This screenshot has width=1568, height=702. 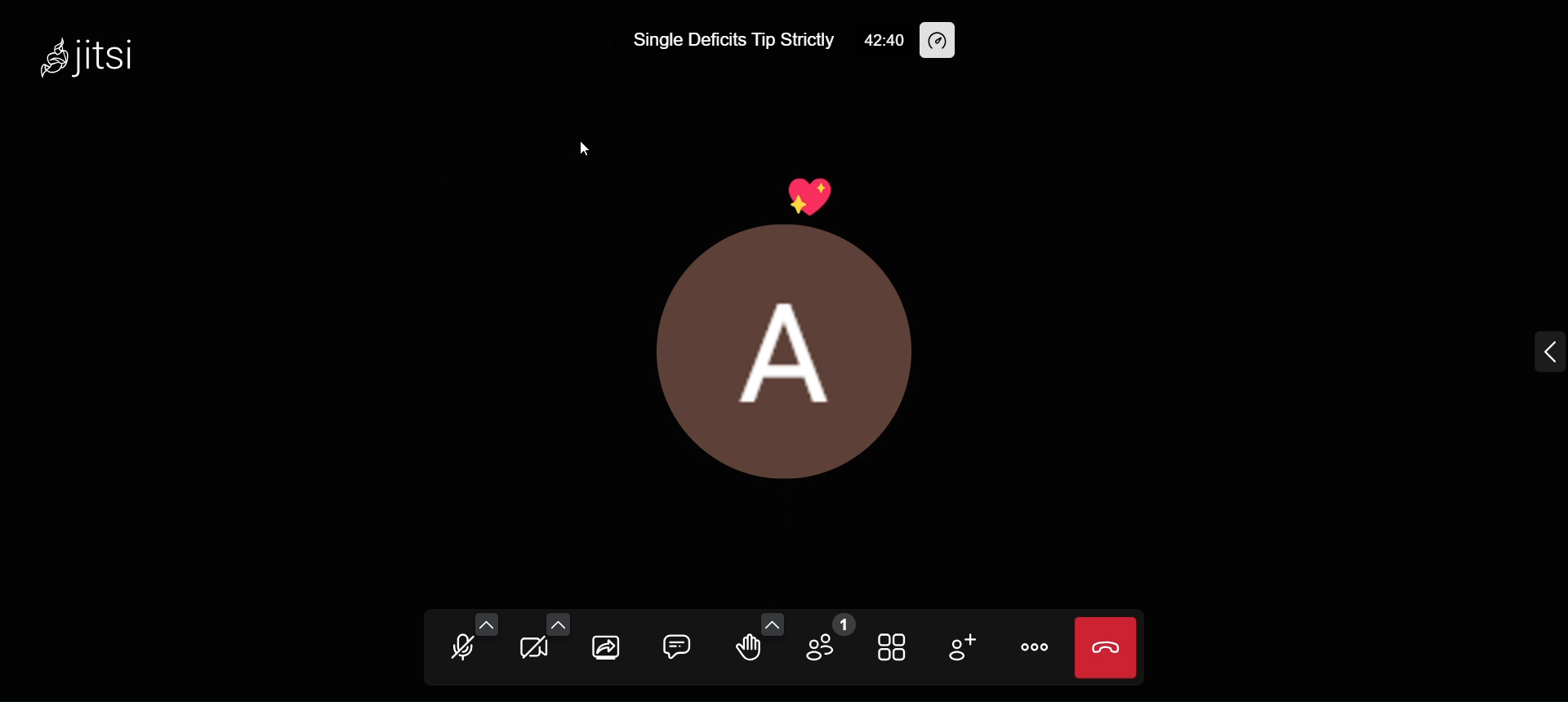 What do you see at coordinates (94, 63) in the screenshot?
I see `jitsi` at bounding box center [94, 63].